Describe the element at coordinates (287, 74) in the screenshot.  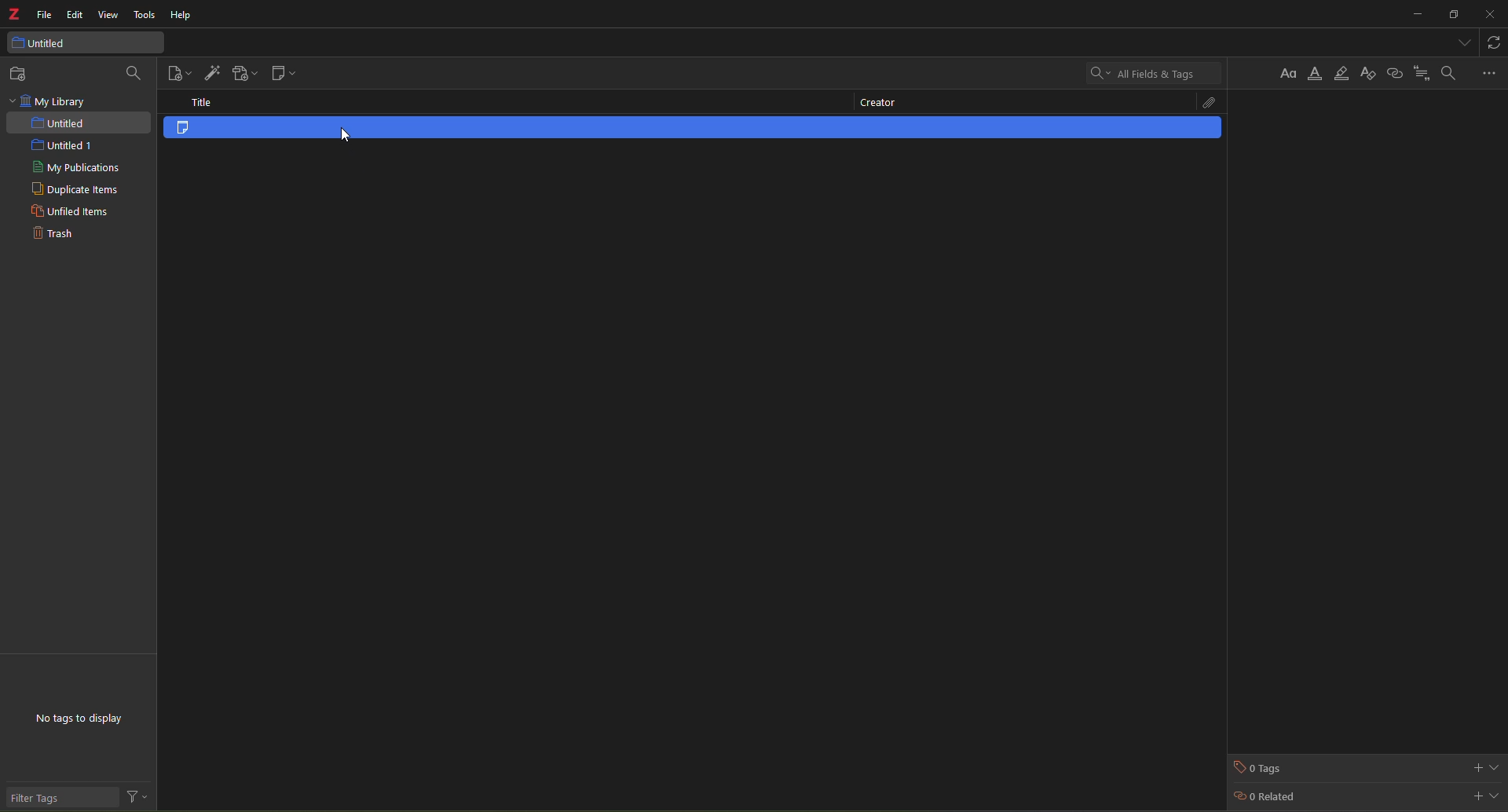
I see `new note` at that location.